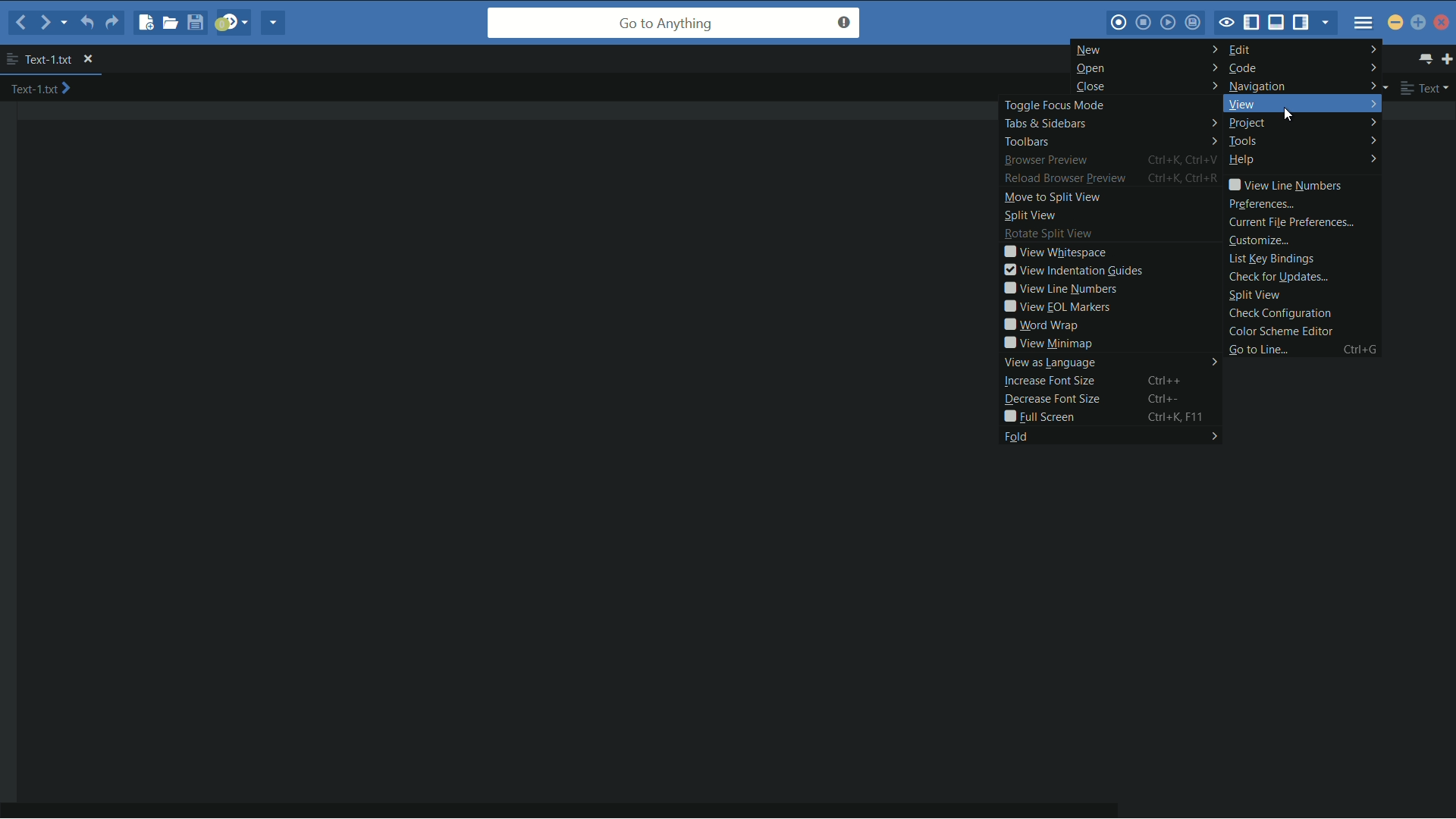 Image resolution: width=1456 pixels, height=819 pixels. I want to click on view line numbers, so click(1284, 185).